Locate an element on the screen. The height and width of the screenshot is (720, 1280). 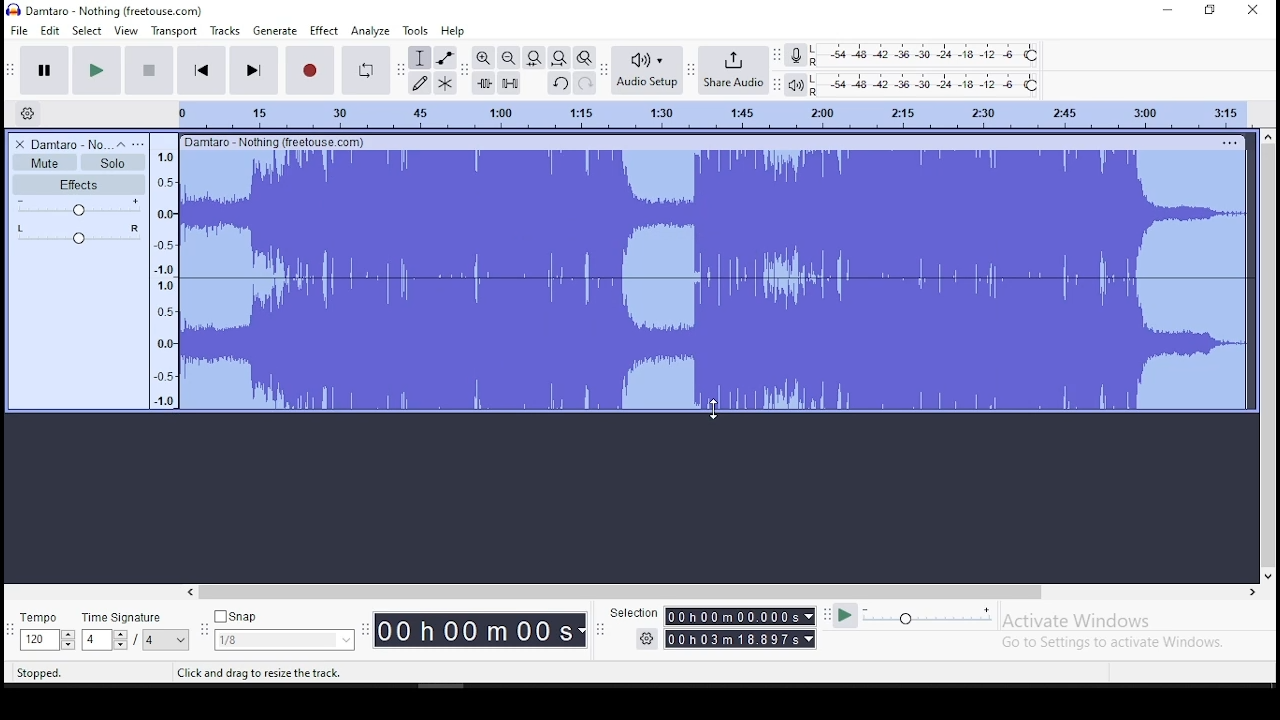
 is located at coordinates (775, 85).